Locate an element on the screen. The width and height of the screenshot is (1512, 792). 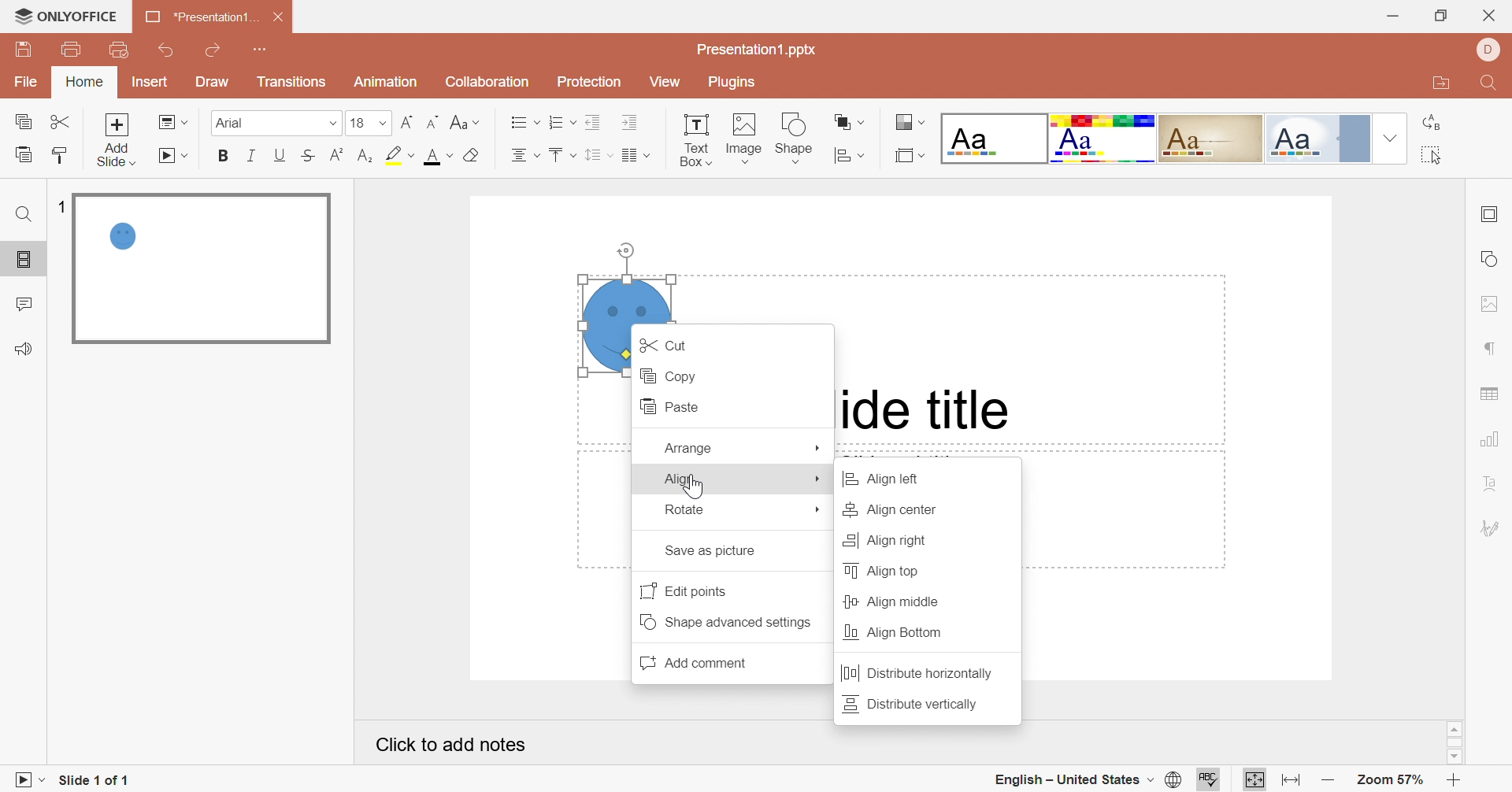
Insert columns is located at coordinates (636, 155).